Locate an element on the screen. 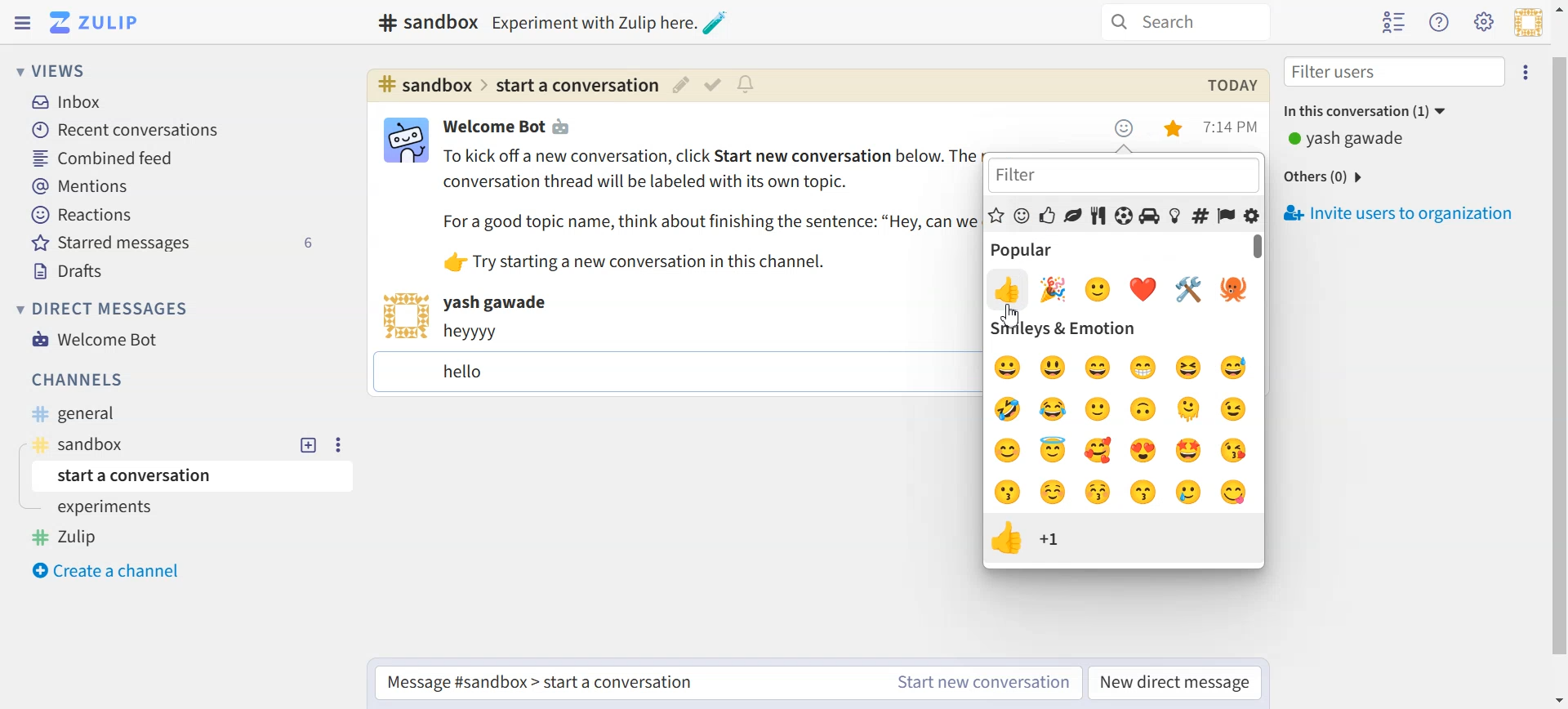  Vertical scroll bar is located at coordinates (1258, 248).